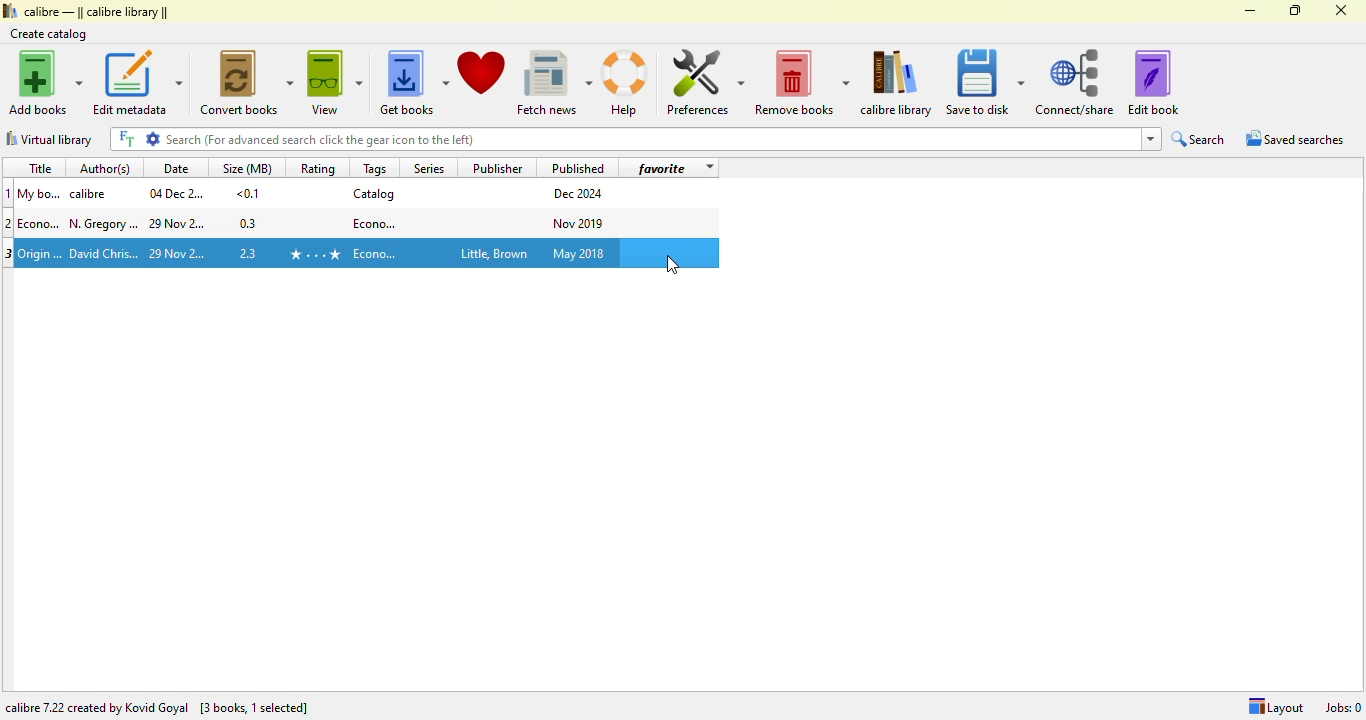 This screenshot has width=1366, height=720. Describe the element at coordinates (248, 82) in the screenshot. I see `convert books` at that location.